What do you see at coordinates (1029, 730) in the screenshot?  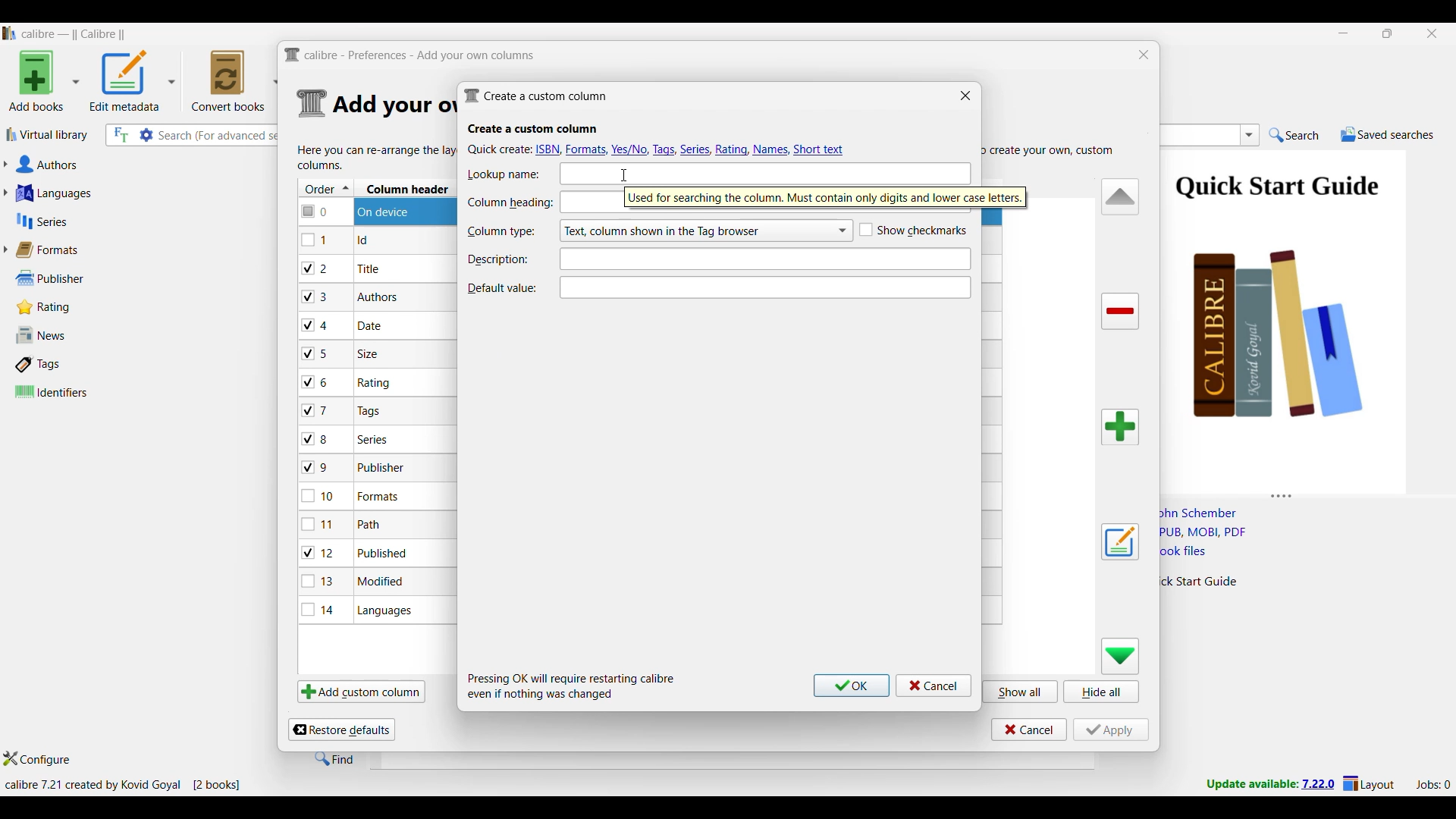 I see `Cancel` at bounding box center [1029, 730].